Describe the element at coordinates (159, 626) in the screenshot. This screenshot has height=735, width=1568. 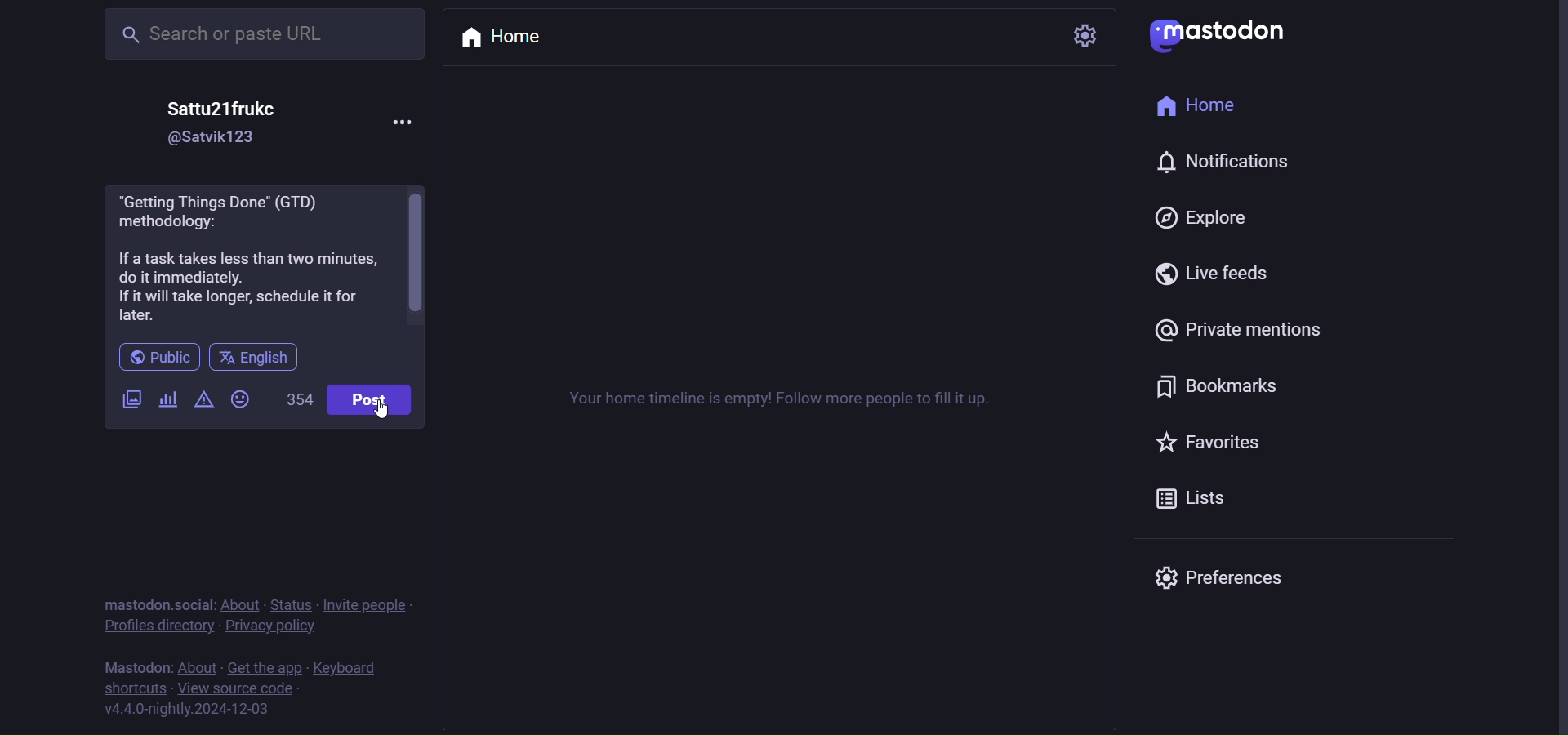
I see `profiles` at that location.